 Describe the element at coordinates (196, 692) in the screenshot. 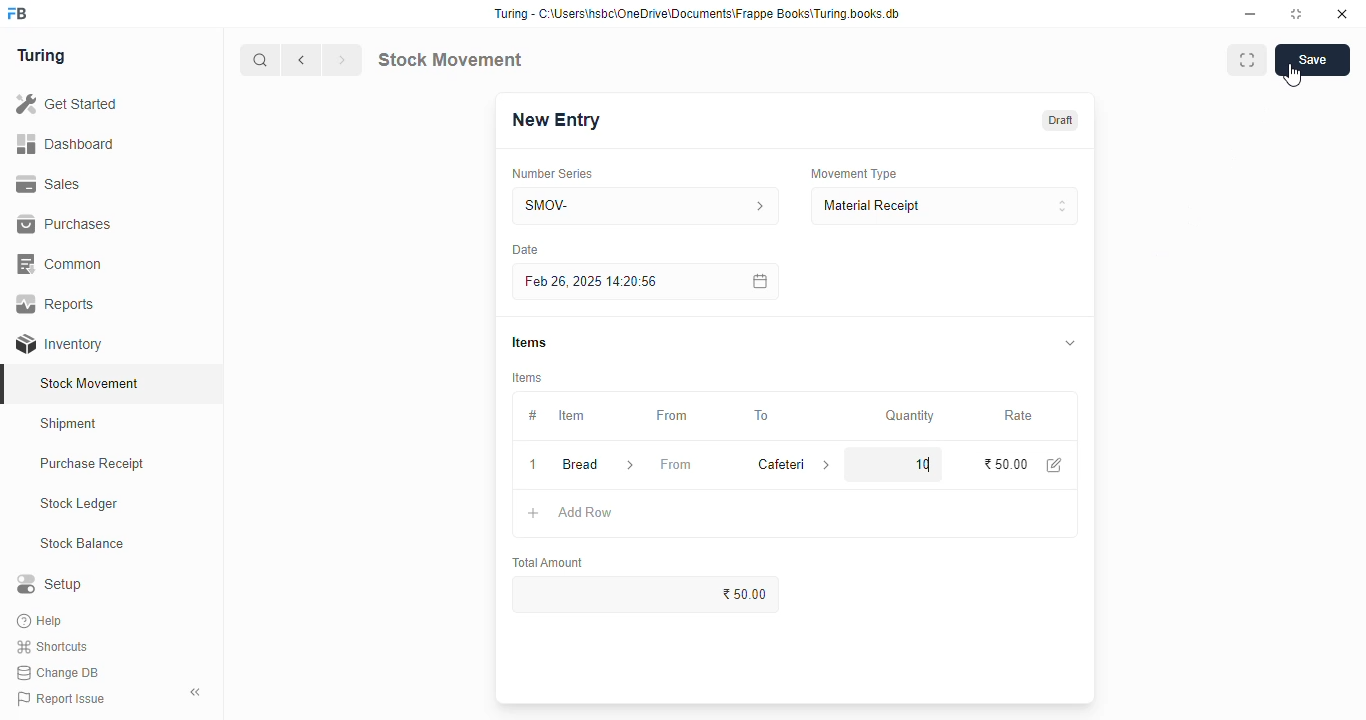

I see `toggle sidebar` at that location.